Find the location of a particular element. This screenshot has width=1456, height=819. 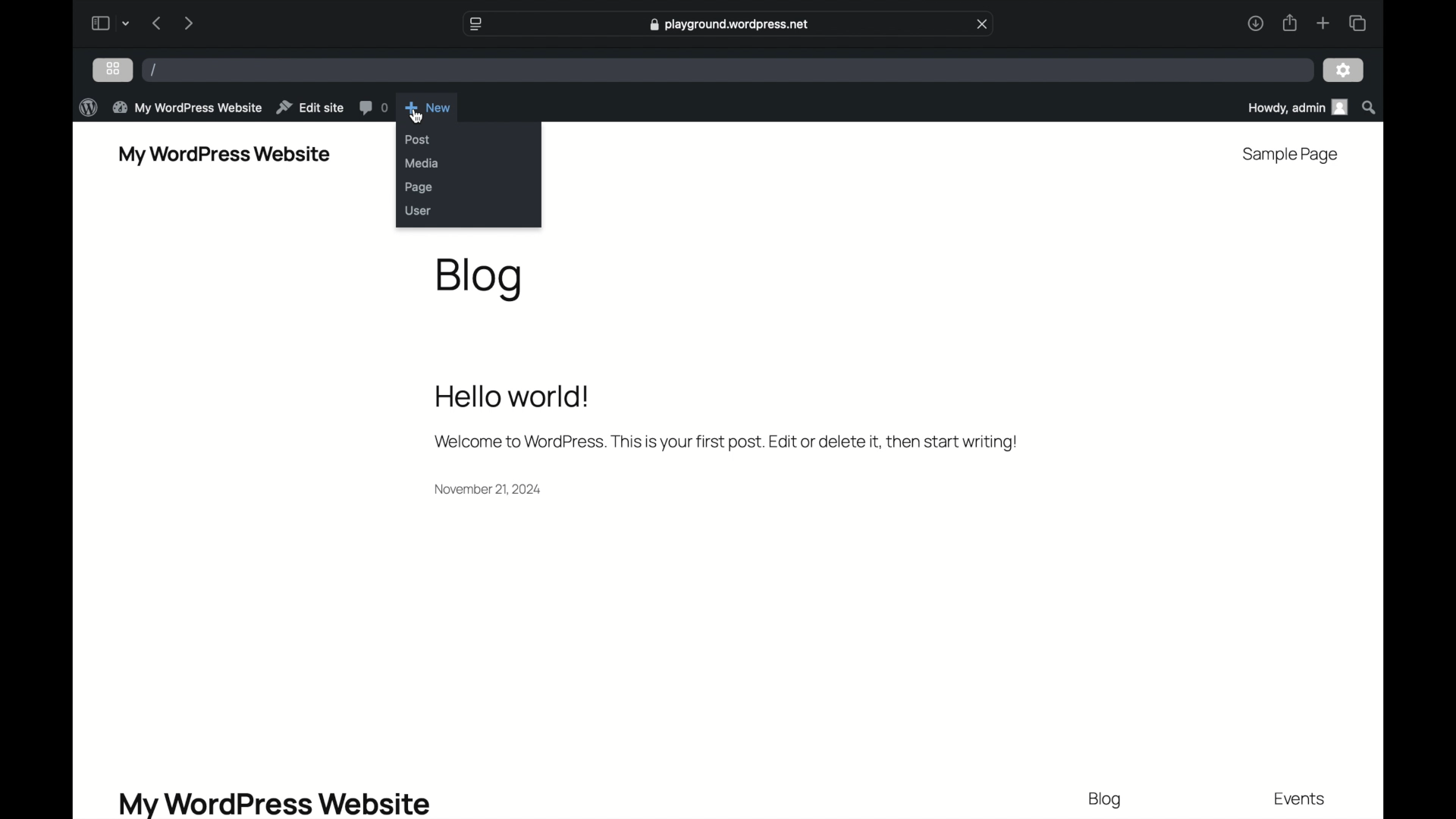

new tab is located at coordinates (1323, 23).